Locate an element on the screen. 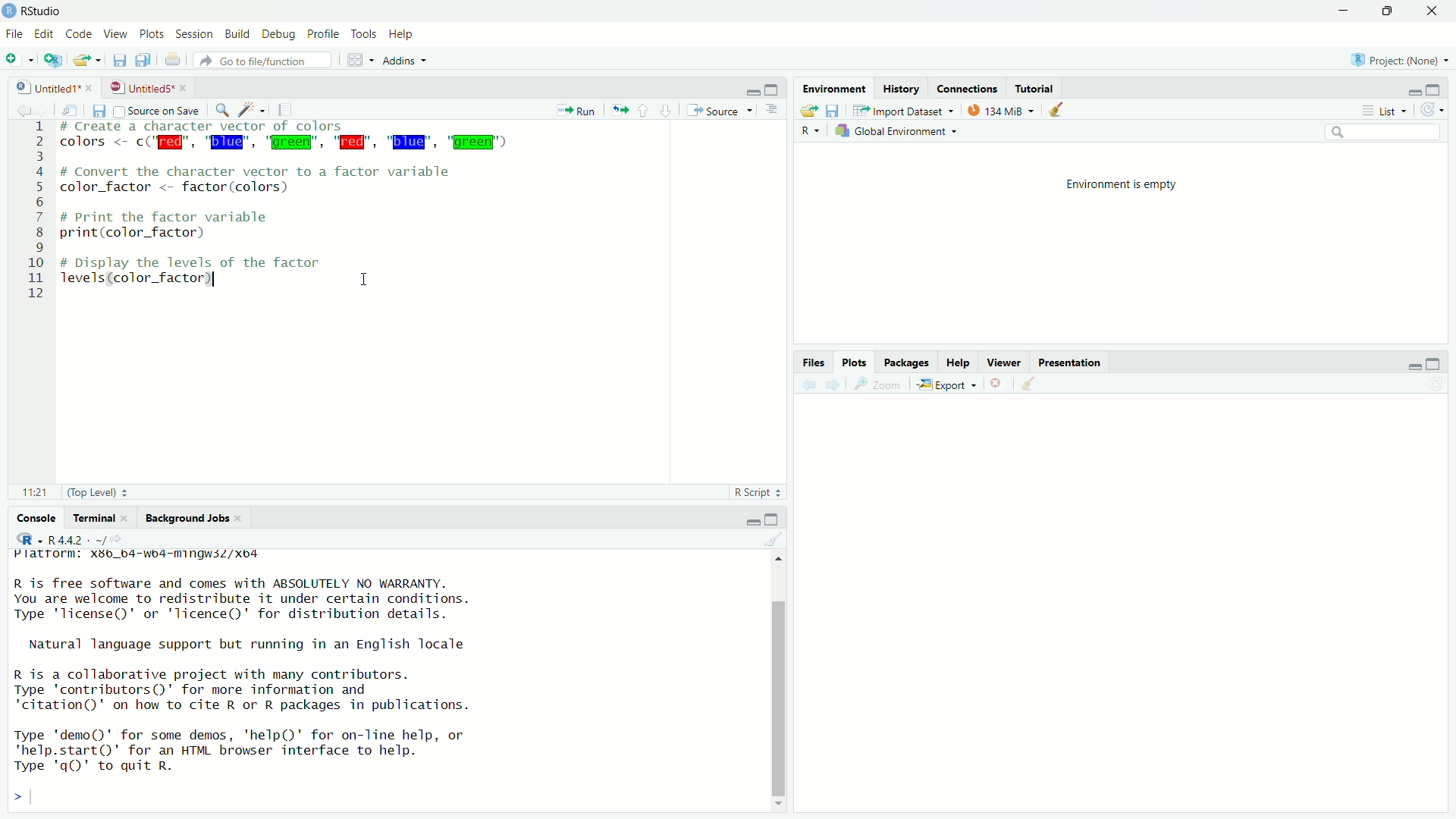 The image size is (1456, 819). console is located at coordinates (31, 517).